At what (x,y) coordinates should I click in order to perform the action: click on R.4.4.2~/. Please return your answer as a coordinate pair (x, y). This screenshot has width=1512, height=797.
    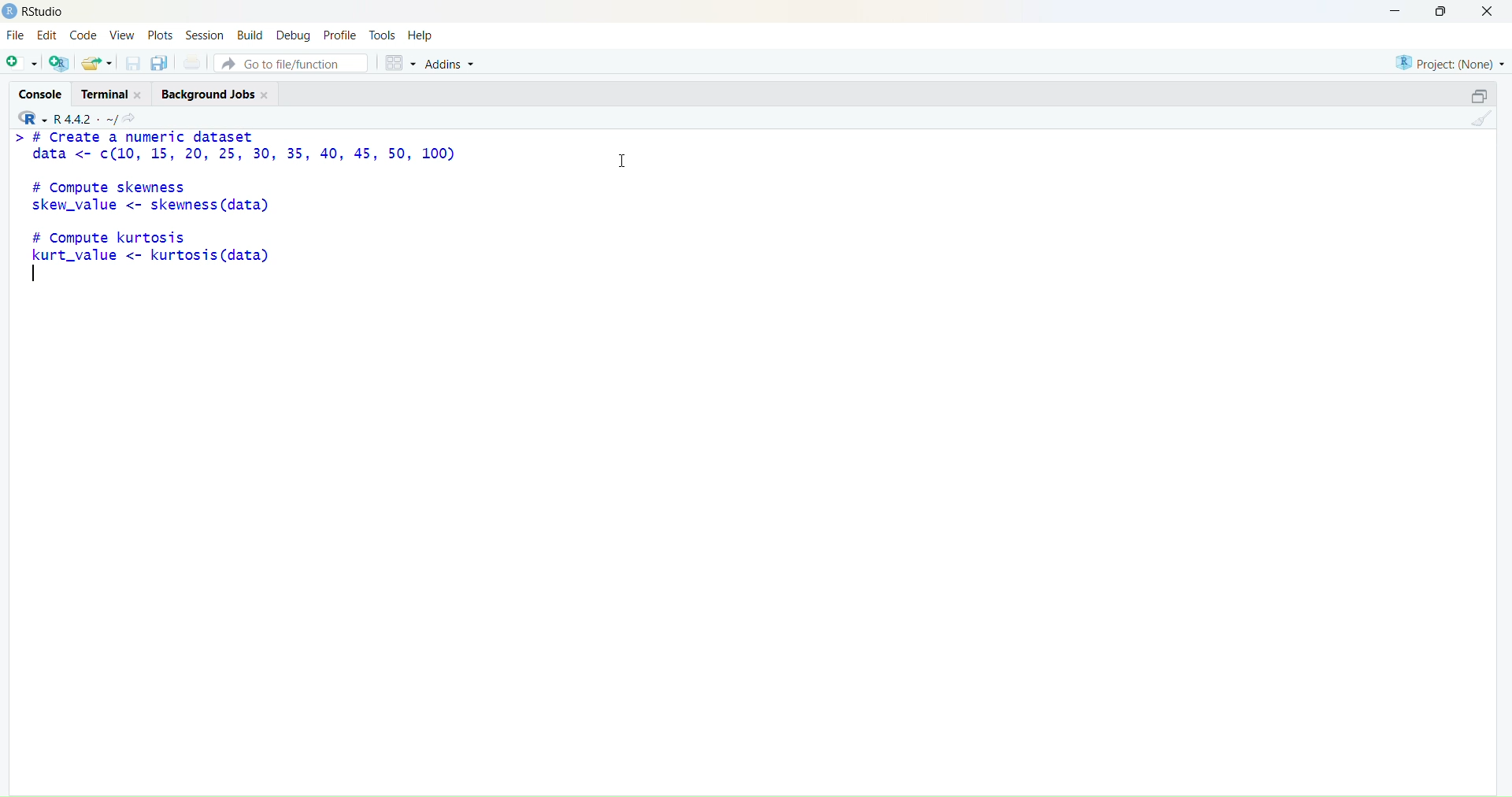
    Looking at the image, I should click on (83, 118).